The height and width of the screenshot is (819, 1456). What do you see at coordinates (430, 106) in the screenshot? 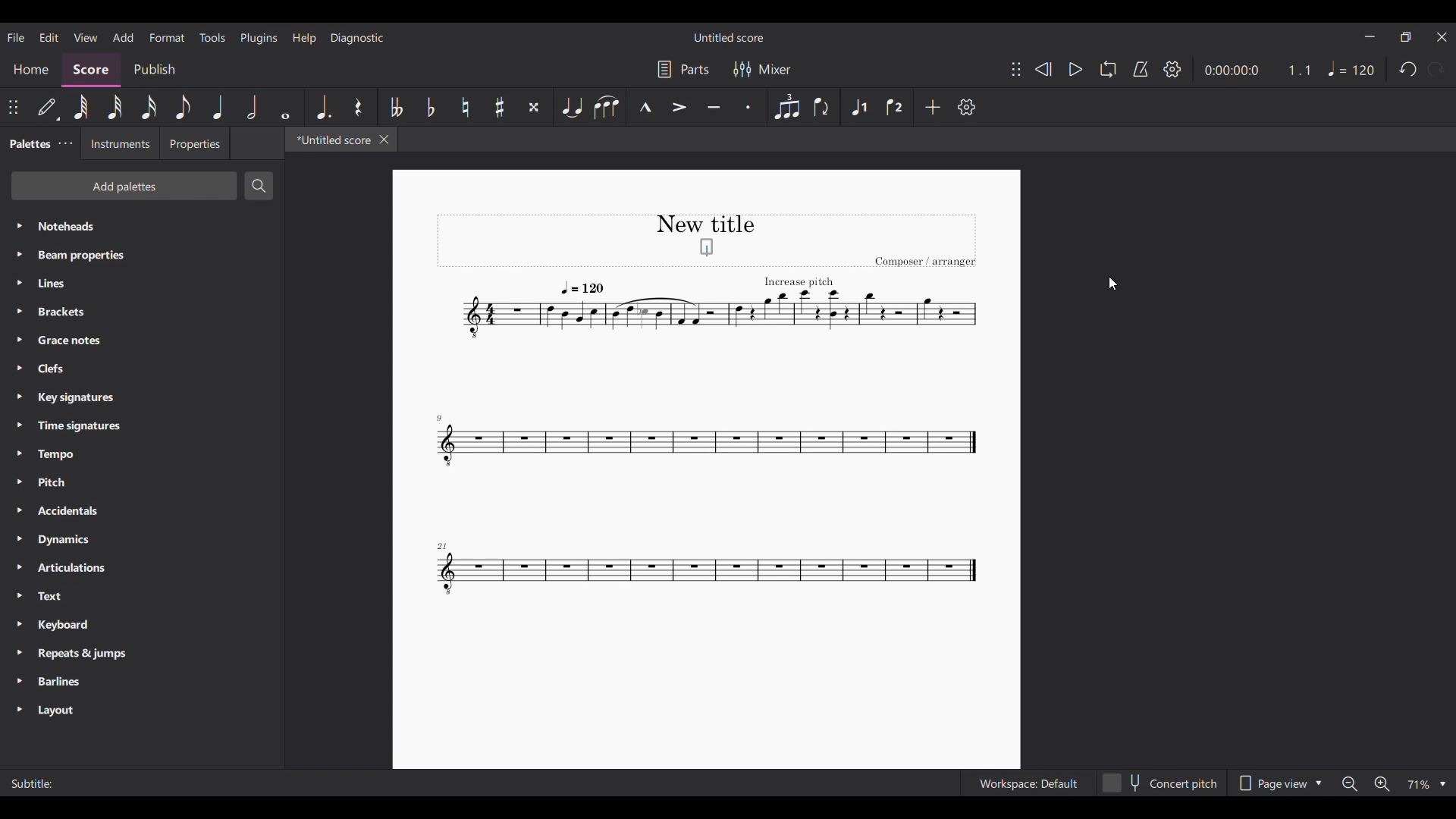
I see `Toggle flat` at bounding box center [430, 106].